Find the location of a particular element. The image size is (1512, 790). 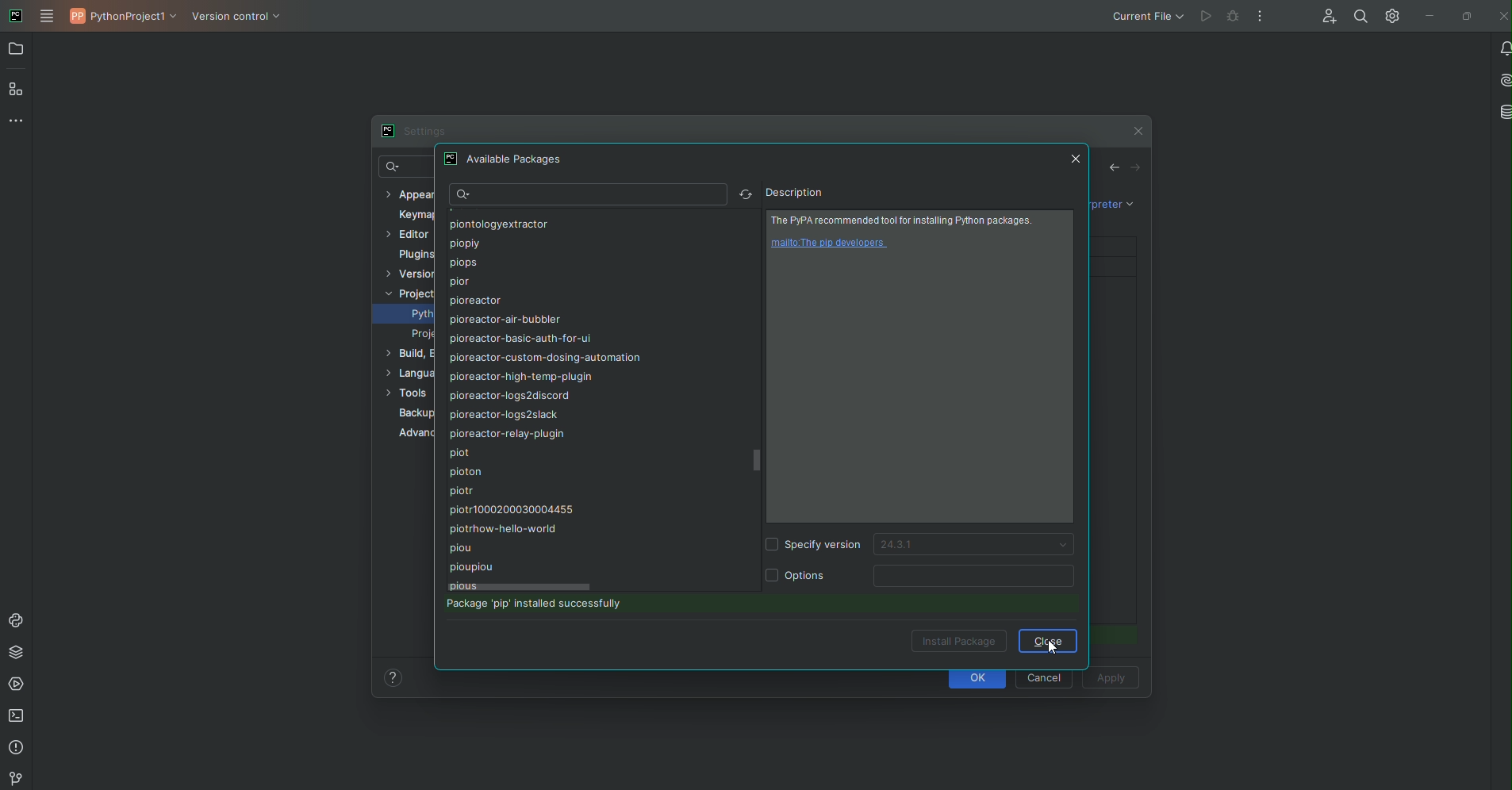

piotr1000200030004455 is located at coordinates (511, 510).